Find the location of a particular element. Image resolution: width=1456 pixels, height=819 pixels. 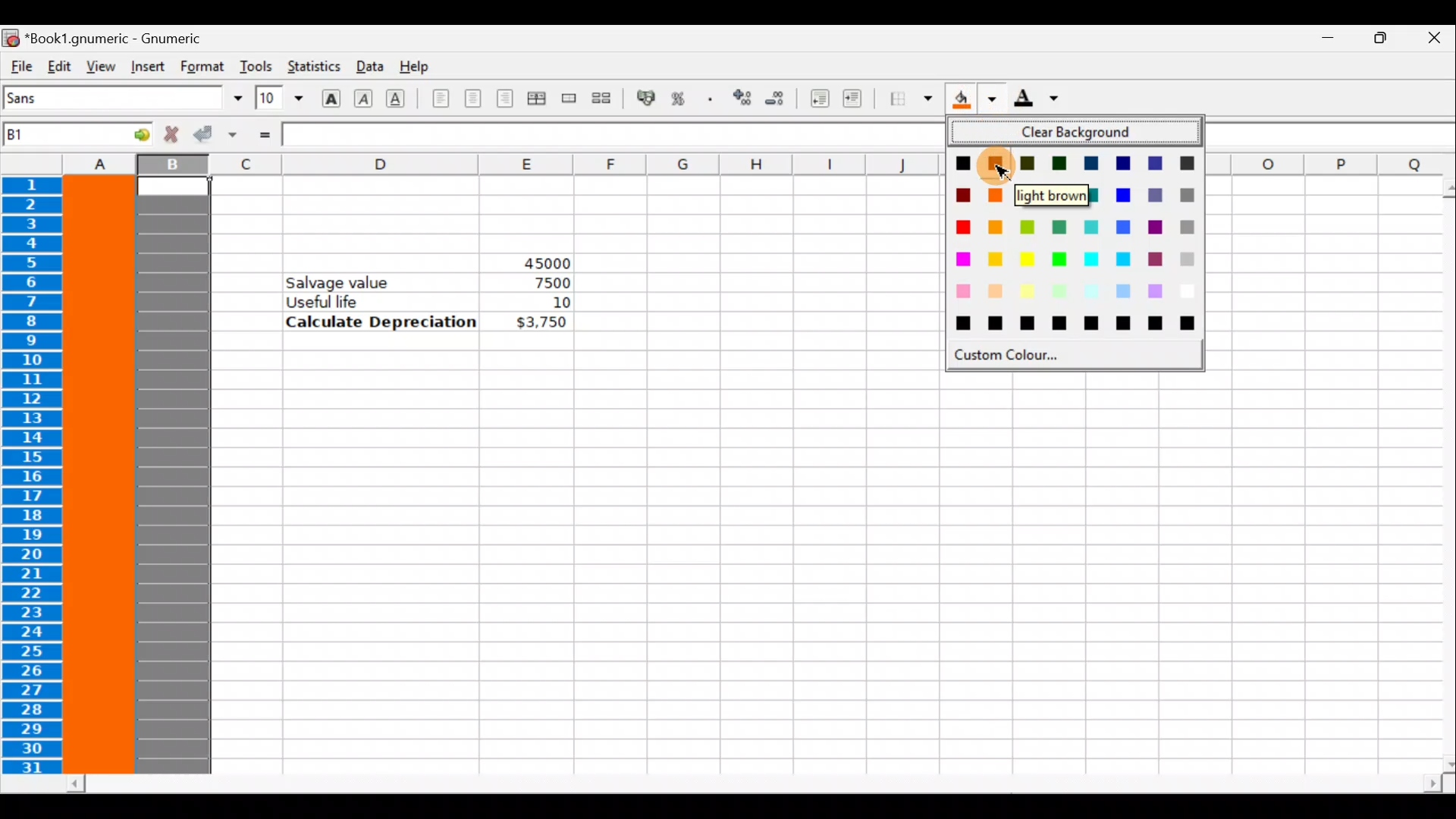

Insert is located at coordinates (147, 67).